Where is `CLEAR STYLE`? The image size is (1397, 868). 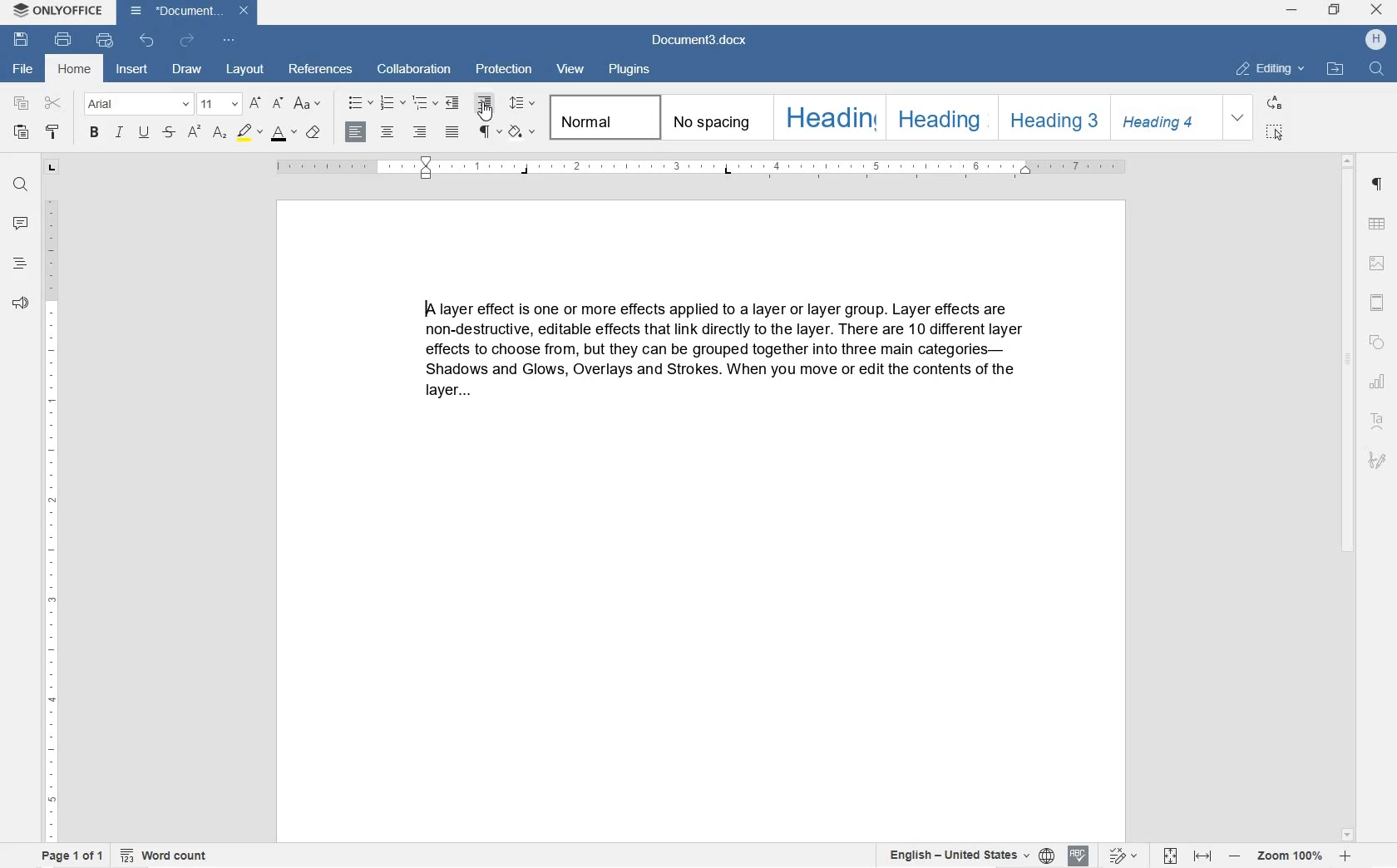
CLEAR STYLE is located at coordinates (313, 133).